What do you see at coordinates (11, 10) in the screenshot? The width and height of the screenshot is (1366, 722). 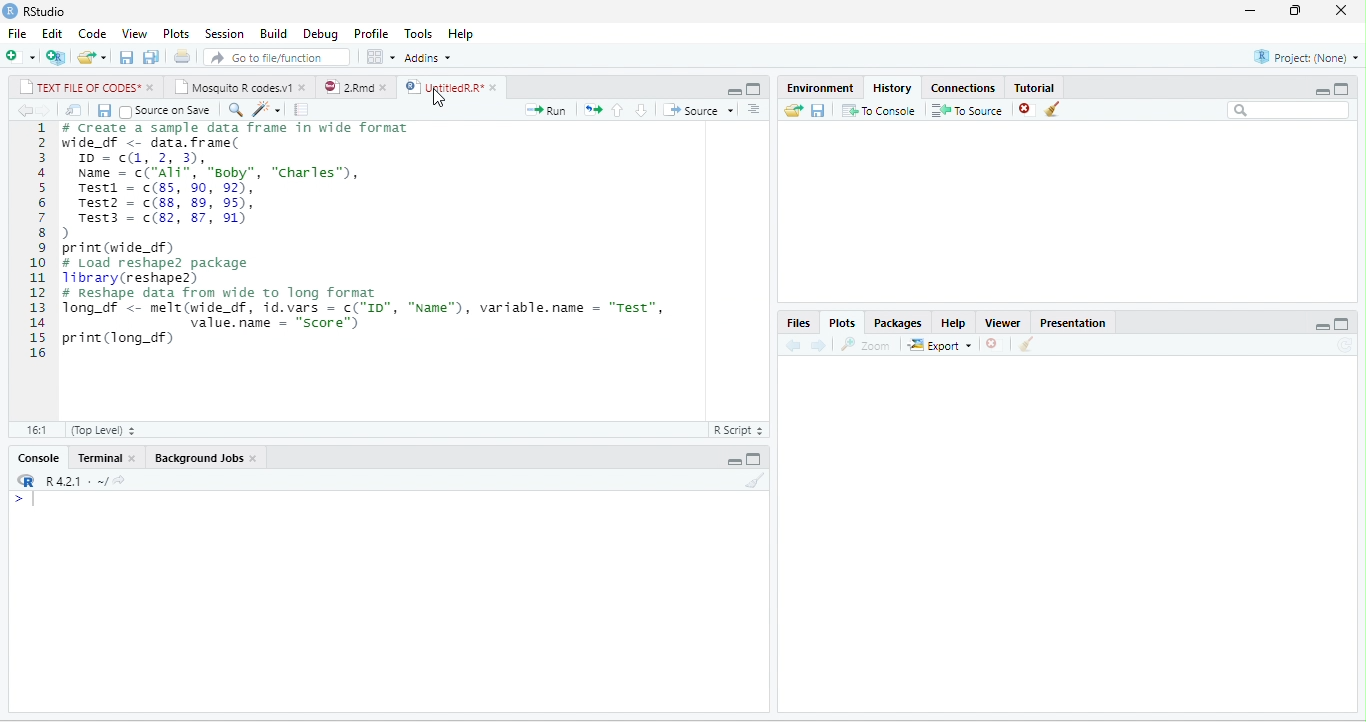 I see `logo` at bounding box center [11, 10].